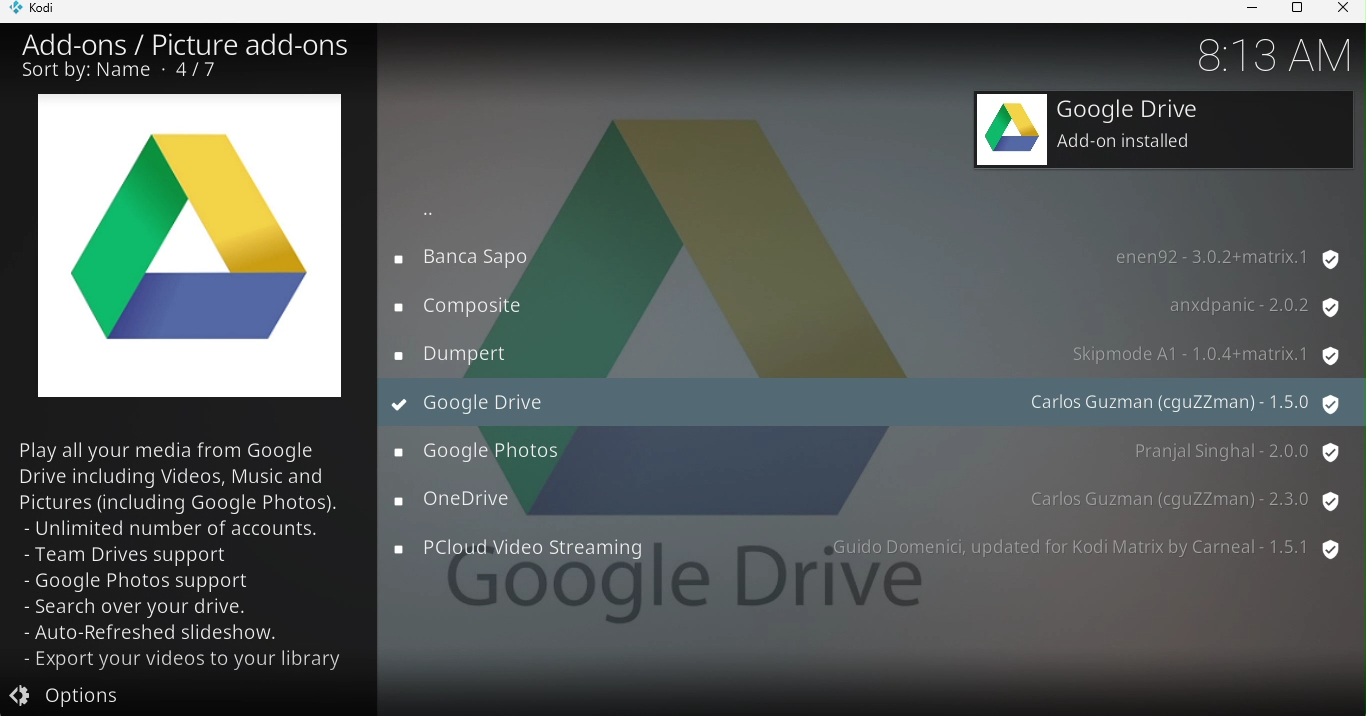 This screenshot has height=716, width=1366. I want to click on Options, so click(180, 695).